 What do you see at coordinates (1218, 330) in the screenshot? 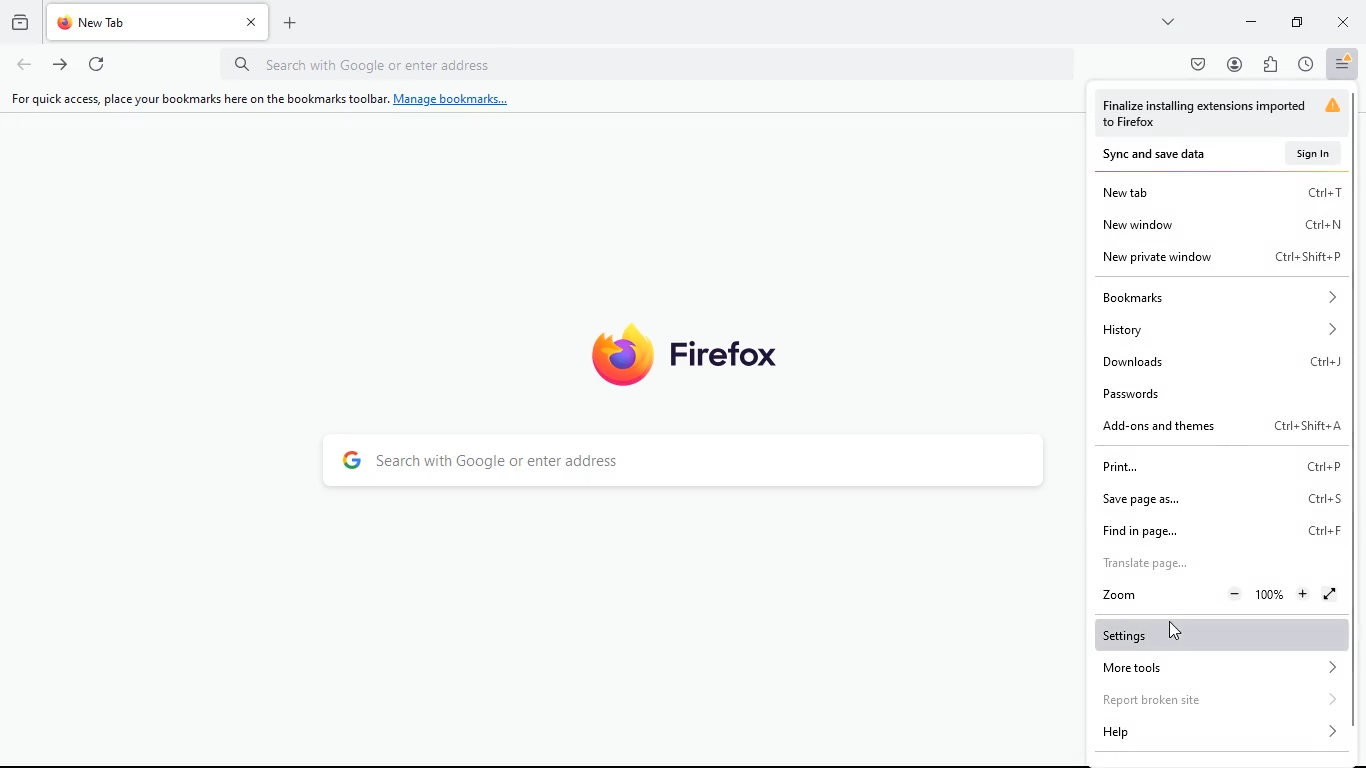
I see `history` at bounding box center [1218, 330].